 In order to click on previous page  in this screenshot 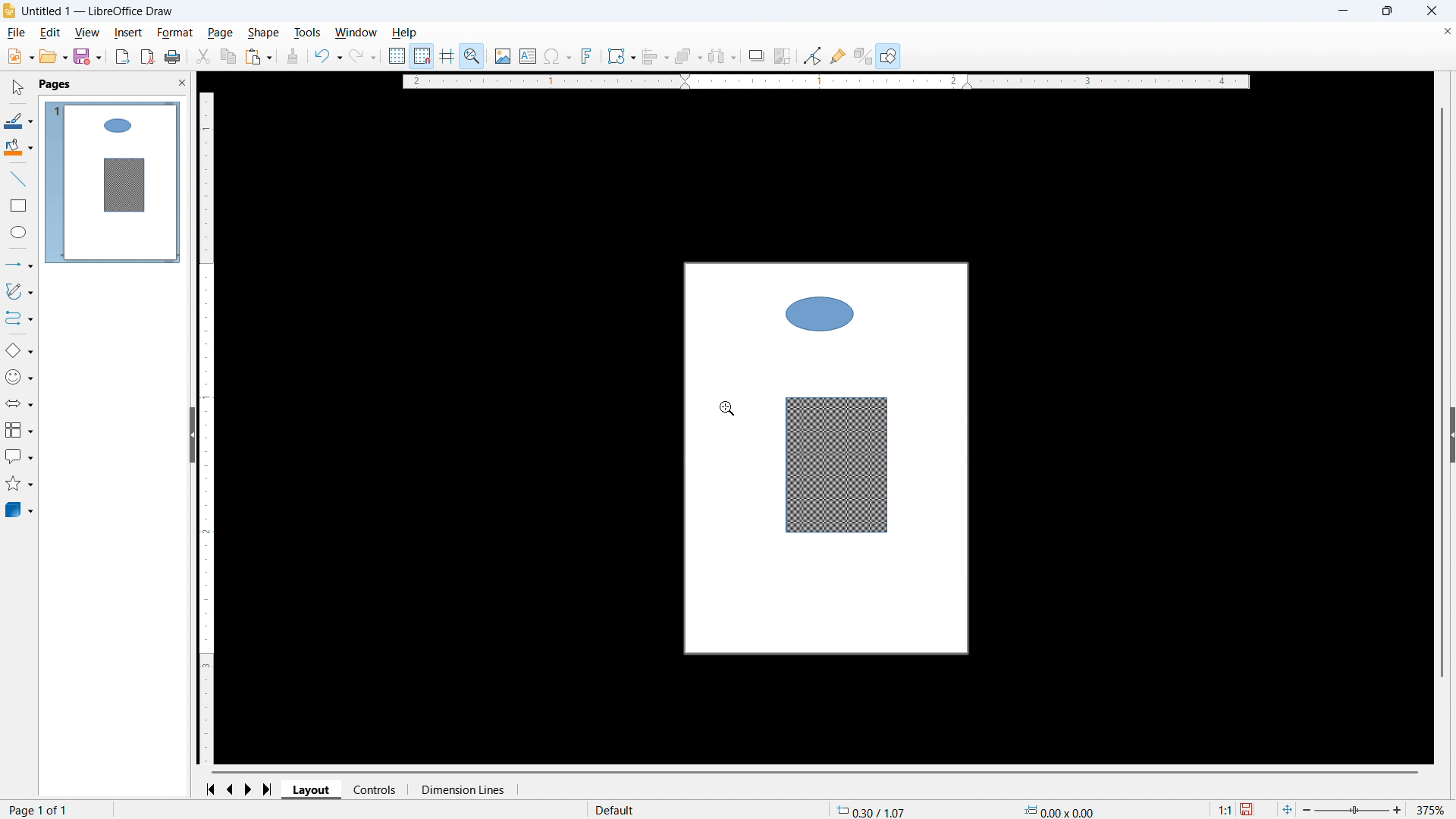, I will do `click(232, 789)`.